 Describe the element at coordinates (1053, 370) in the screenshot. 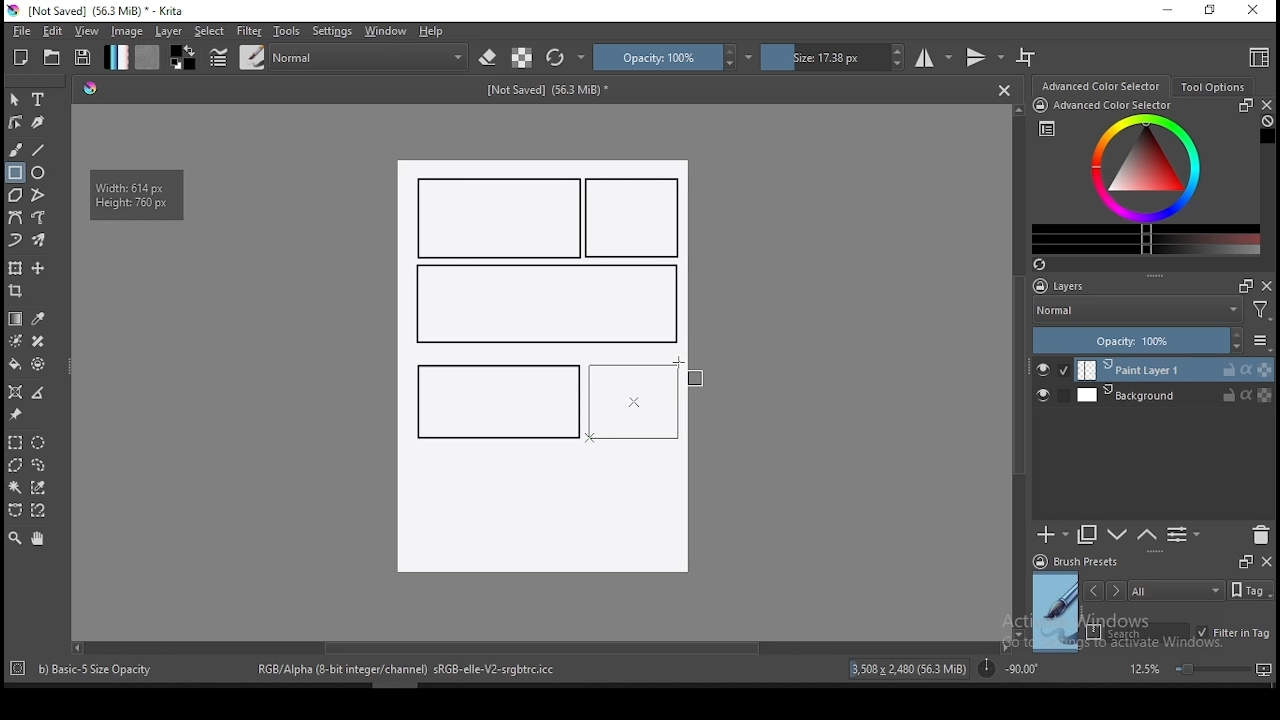

I see `layer visibility on/off` at that location.